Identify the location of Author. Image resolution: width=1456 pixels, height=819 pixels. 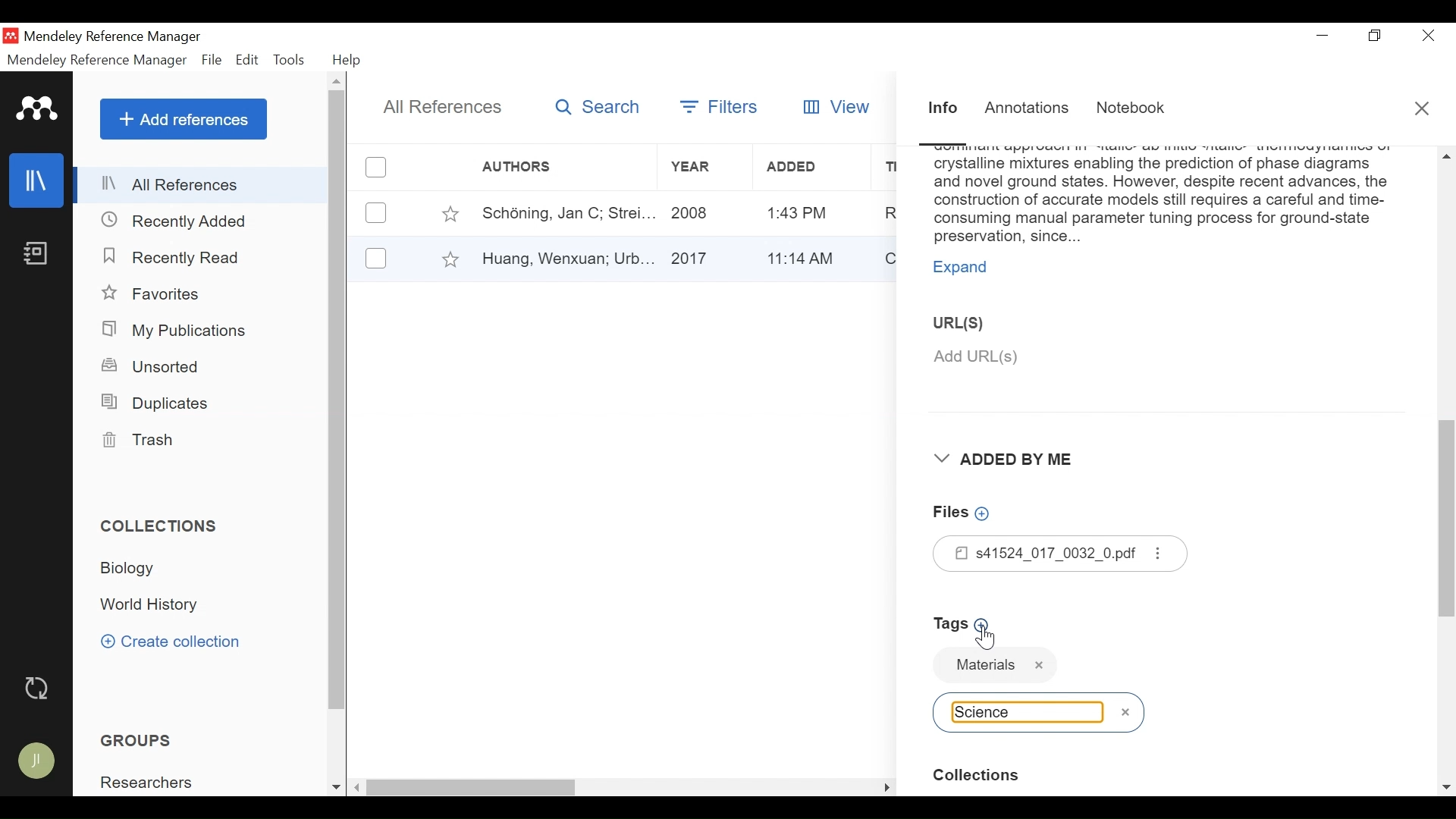
(566, 257).